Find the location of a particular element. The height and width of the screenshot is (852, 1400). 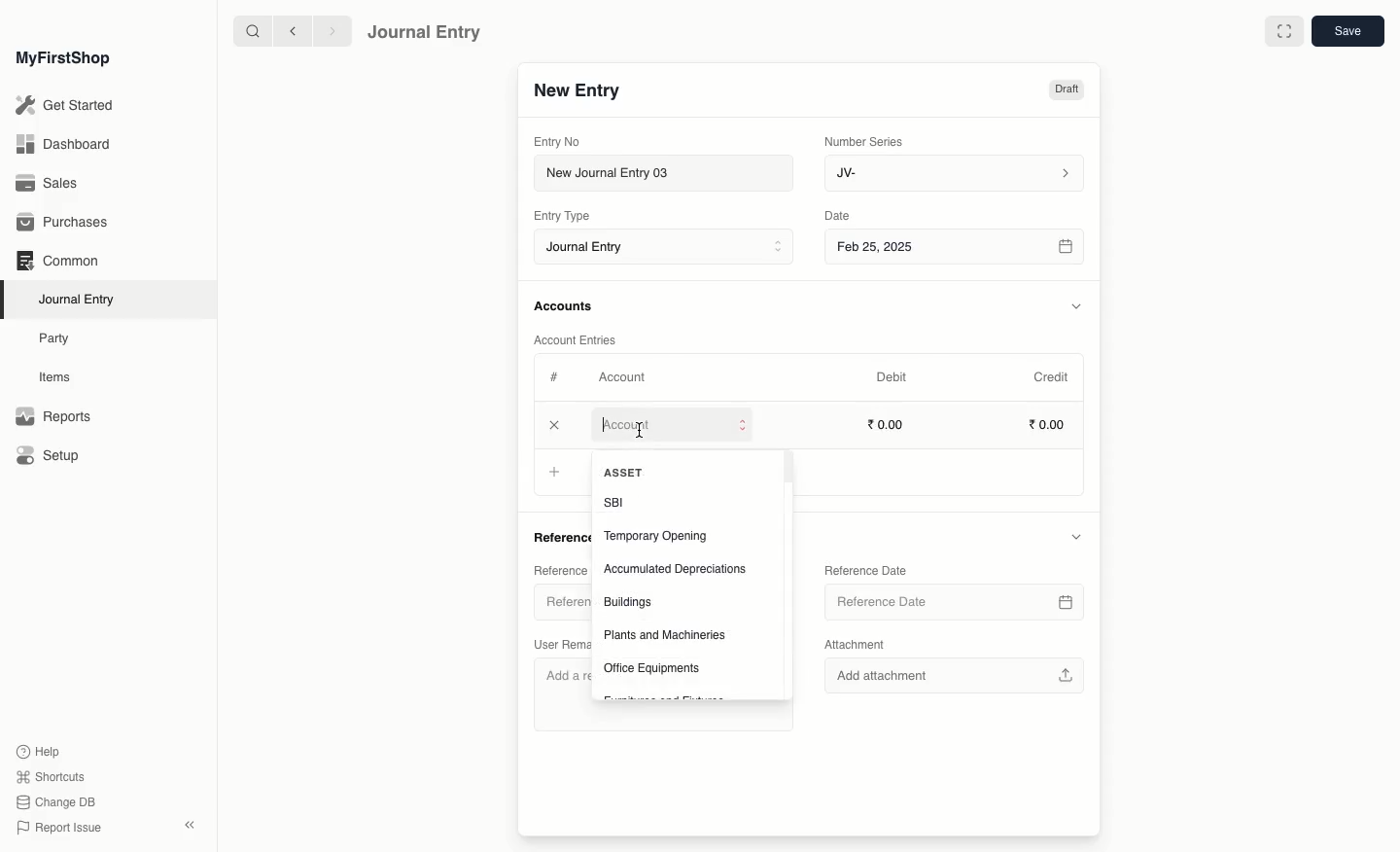

Items is located at coordinates (60, 377).